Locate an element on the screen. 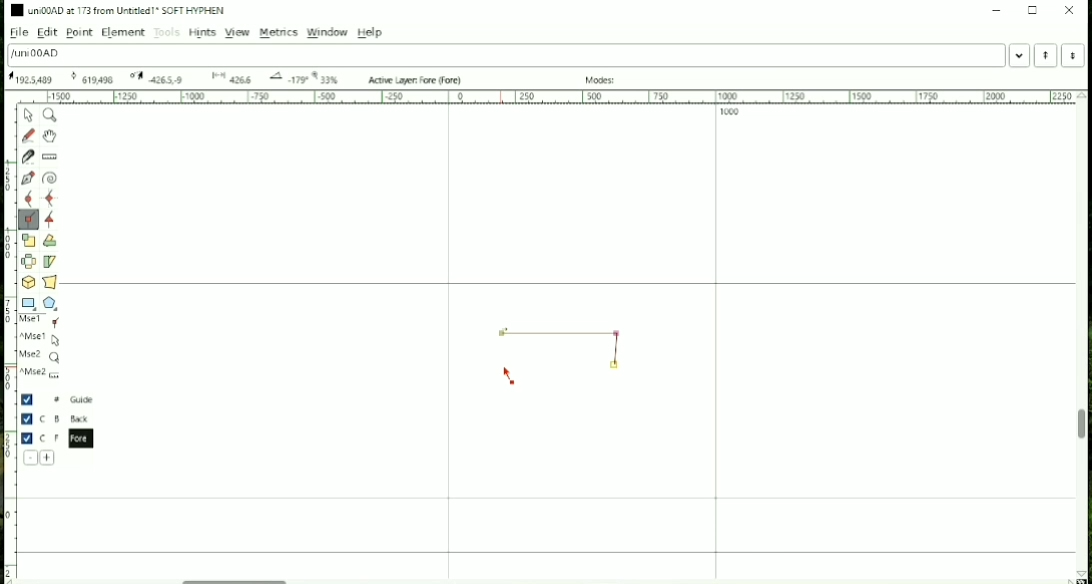 The height and width of the screenshot is (584, 1092). Magnify is located at coordinates (51, 115).